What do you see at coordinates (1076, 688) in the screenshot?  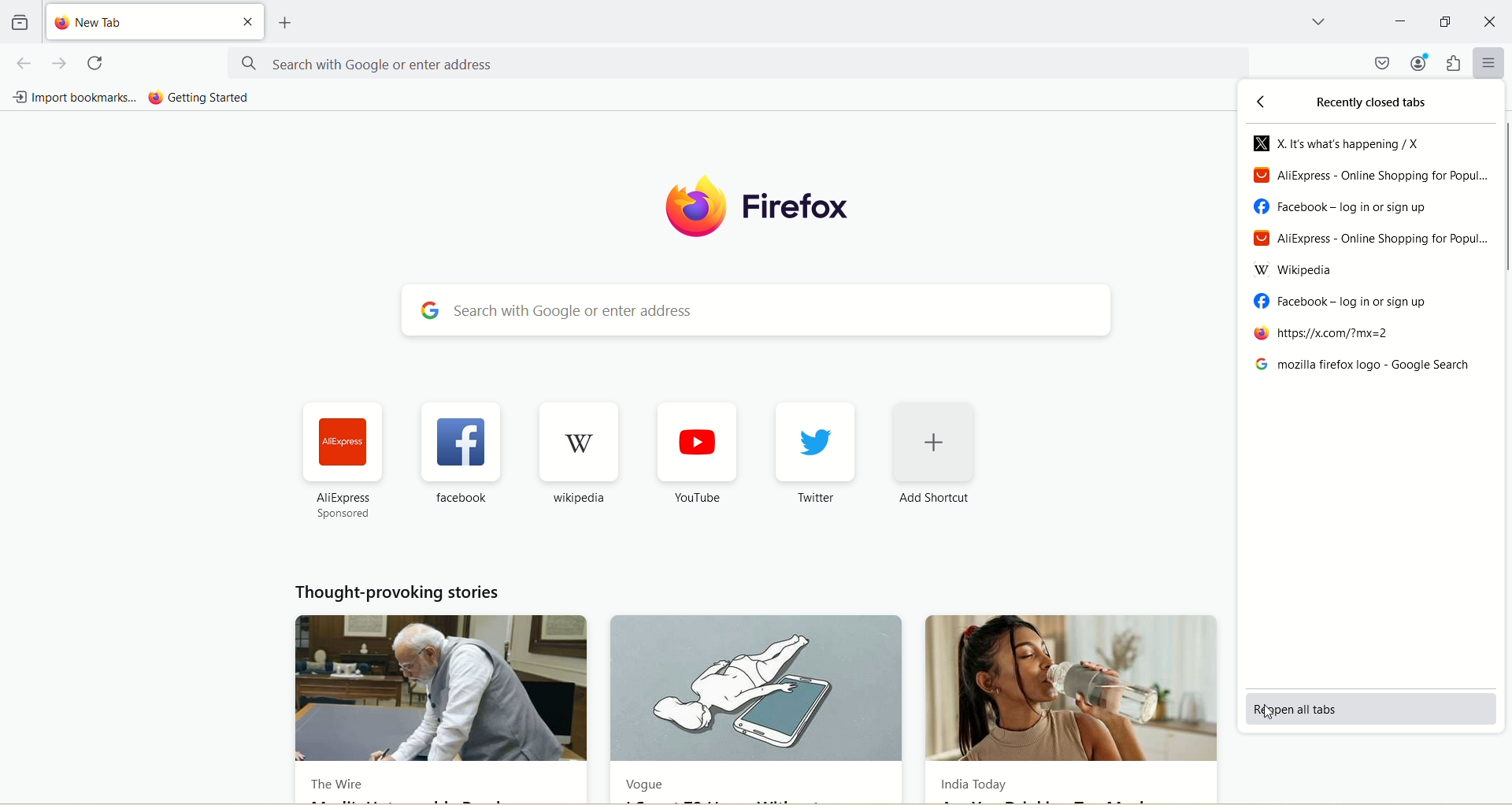 I see `India Today new` at bounding box center [1076, 688].